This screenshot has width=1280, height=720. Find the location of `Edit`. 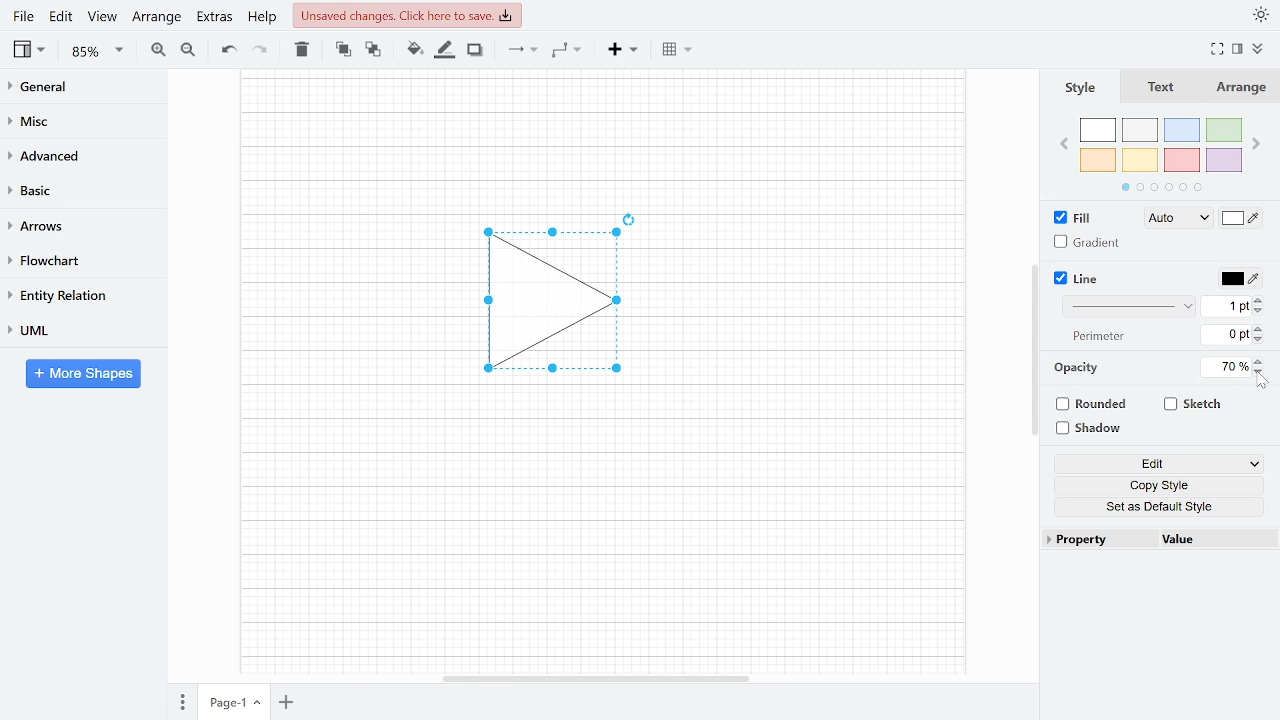

Edit is located at coordinates (62, 16).